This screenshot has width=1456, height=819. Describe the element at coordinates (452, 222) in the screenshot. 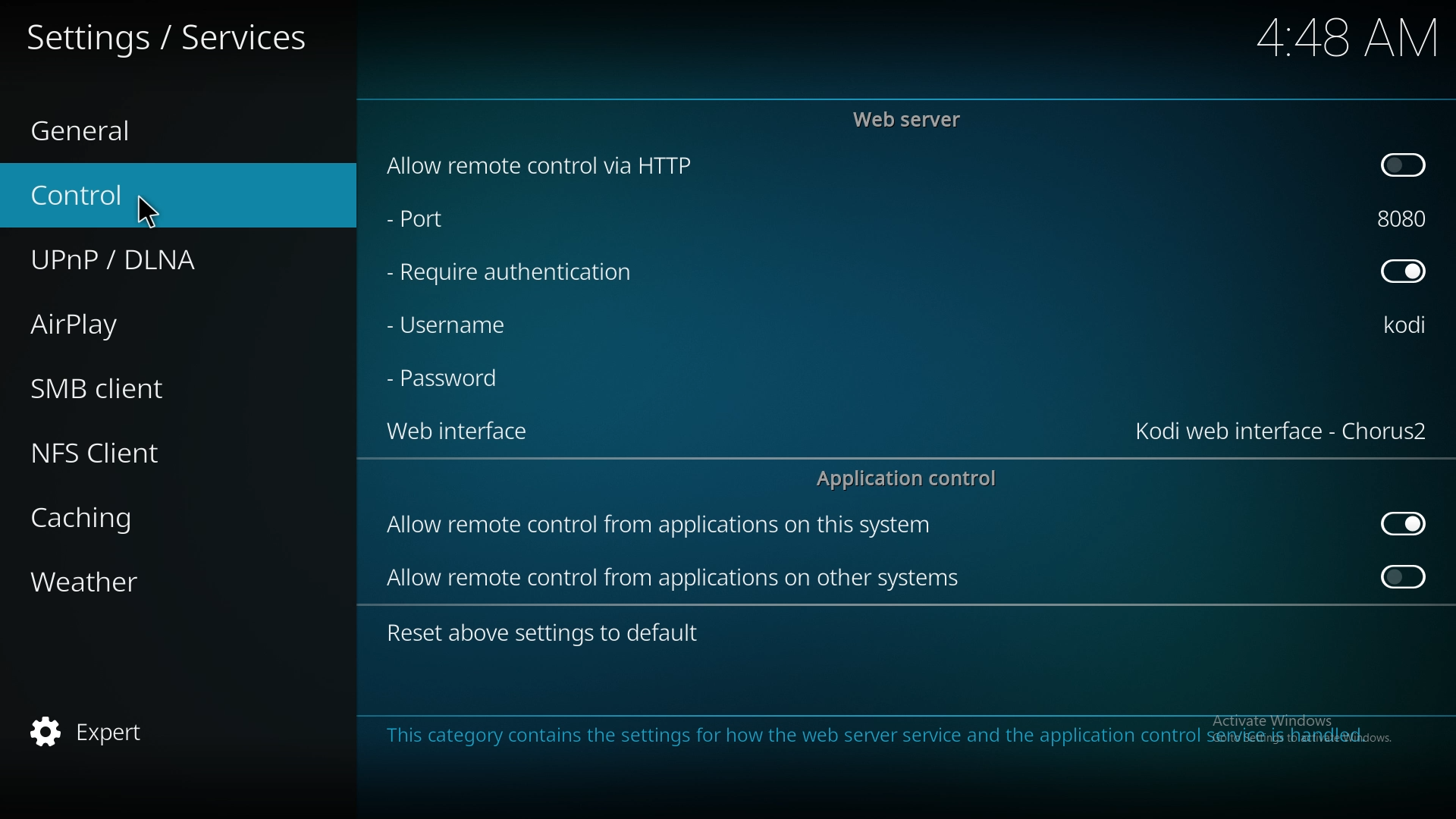

I see `port` at that location.